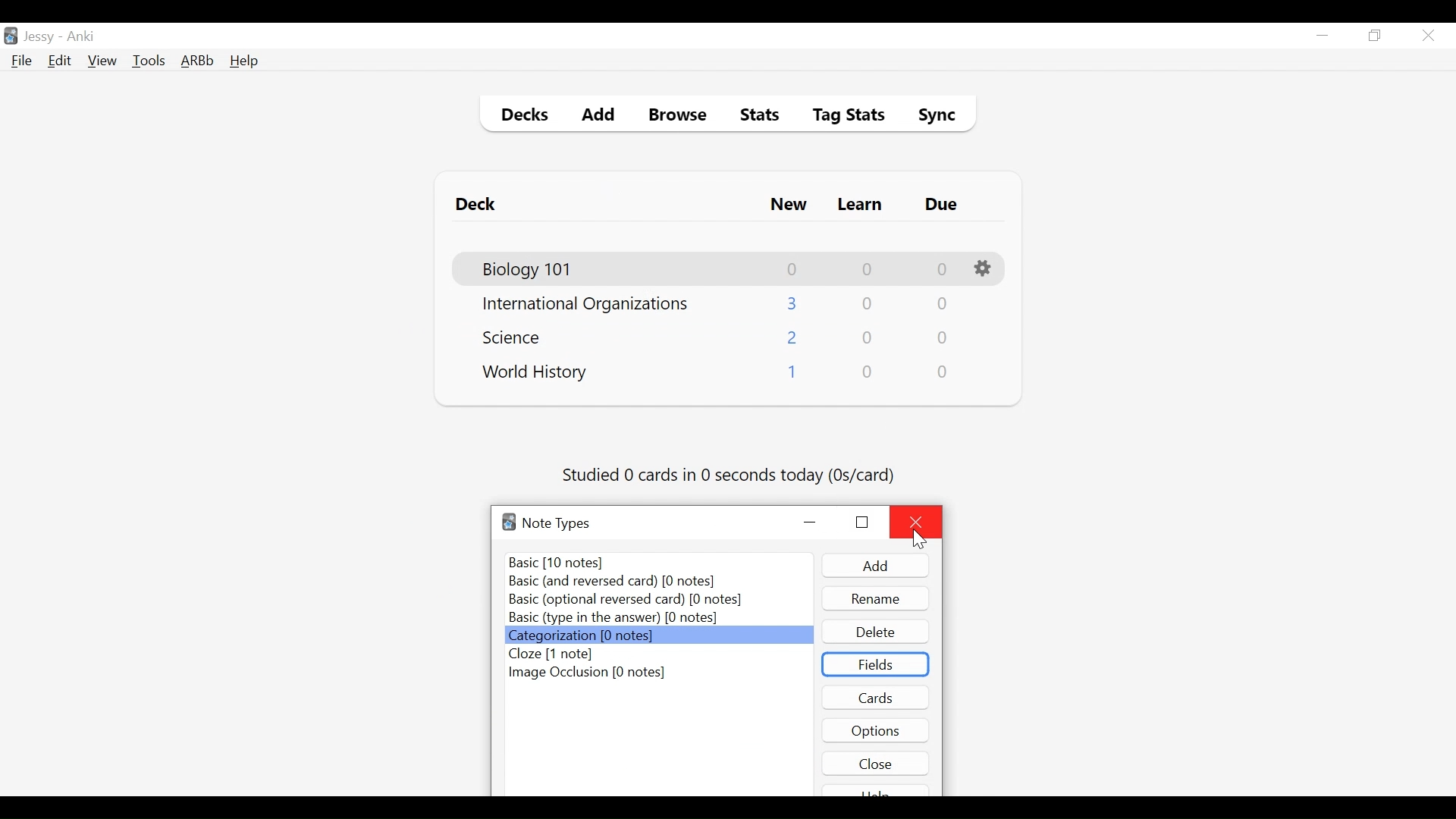 This screenshot has width=1456, height=819. Describe the element at coordinates (791, 375) in the screenshot. I see `New Card Count` at that location.